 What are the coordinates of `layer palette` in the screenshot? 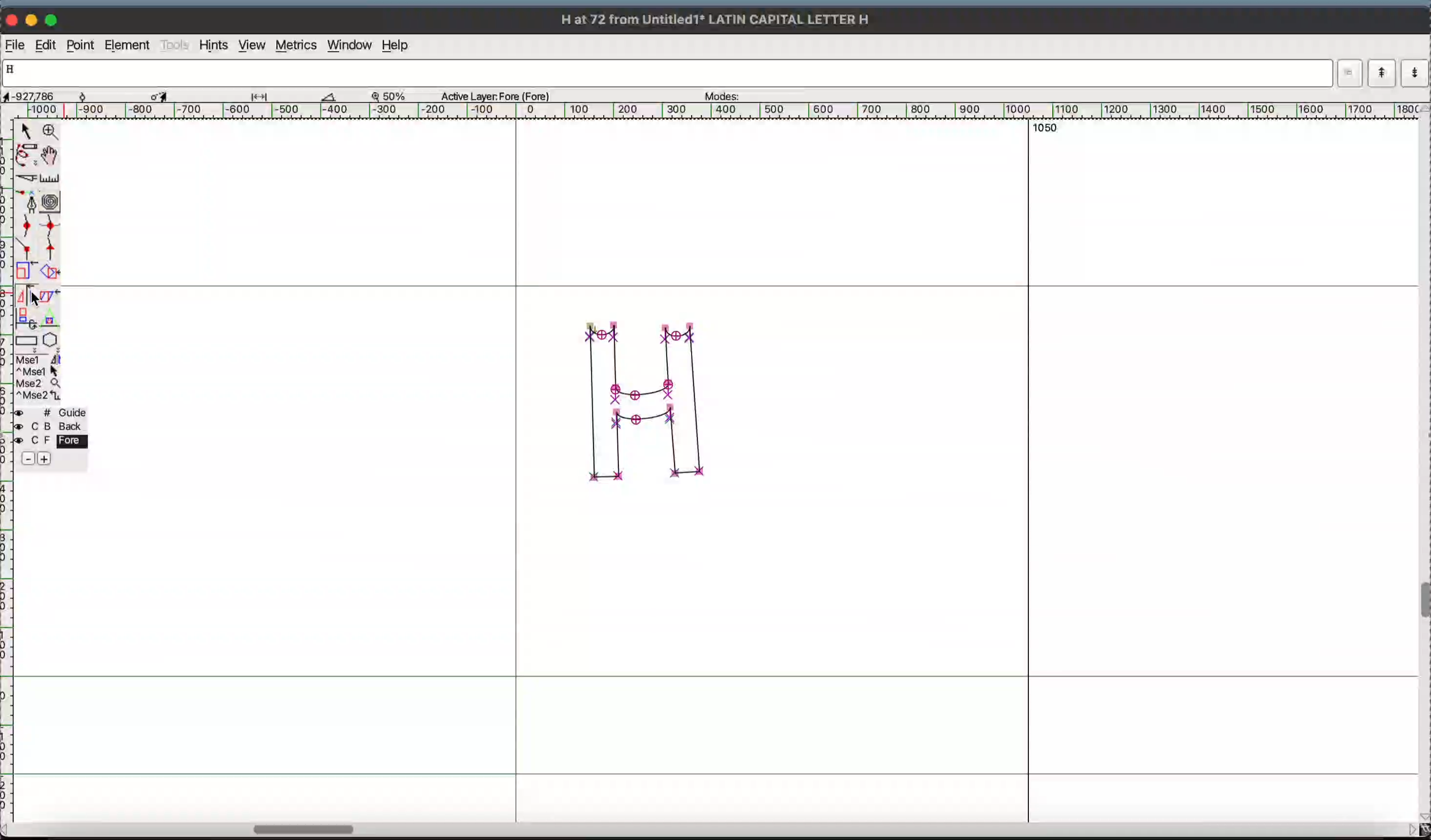 It's located at (52, 436).